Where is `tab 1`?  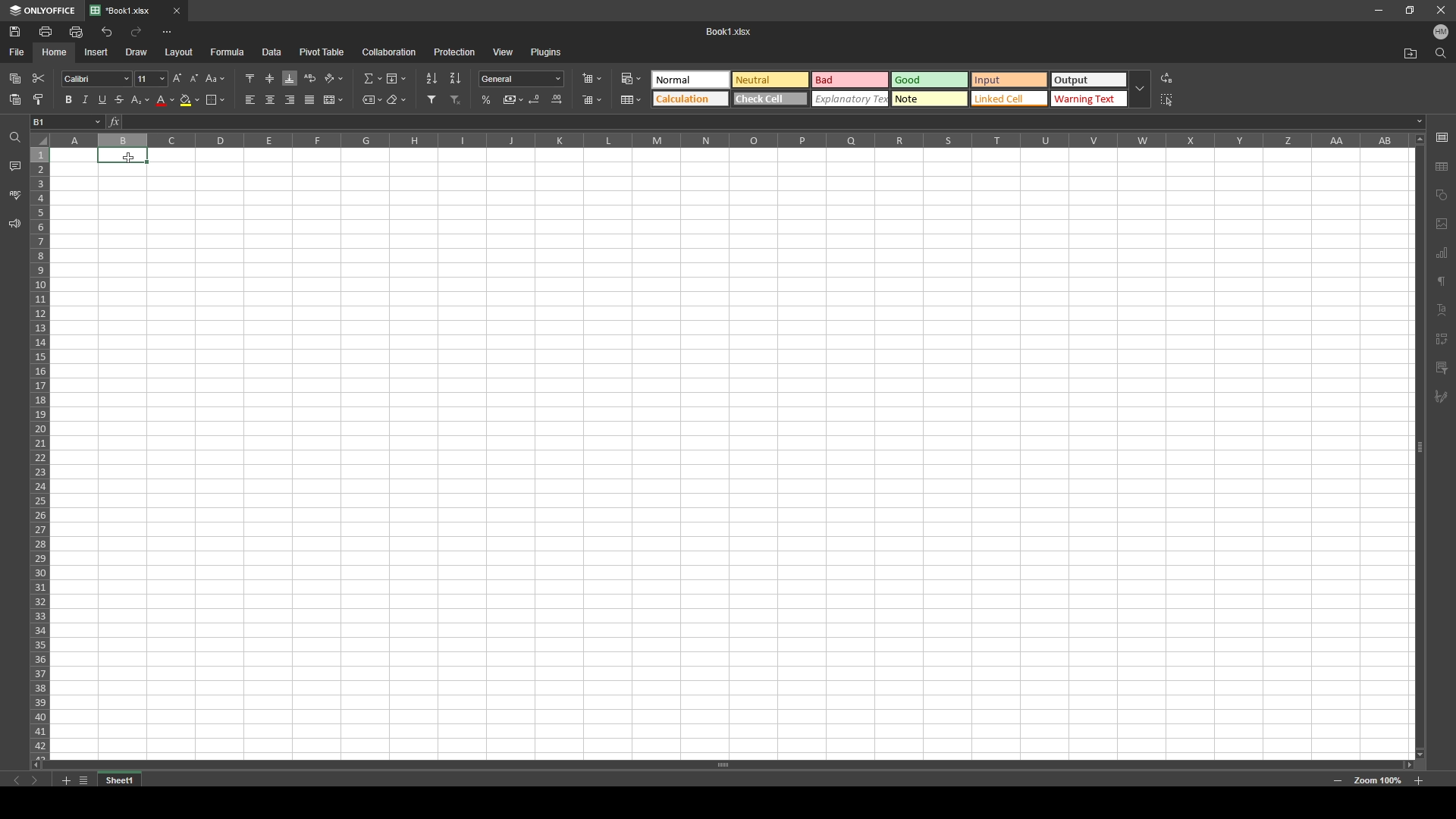
tab 1 is located at coordinates (126, 11).